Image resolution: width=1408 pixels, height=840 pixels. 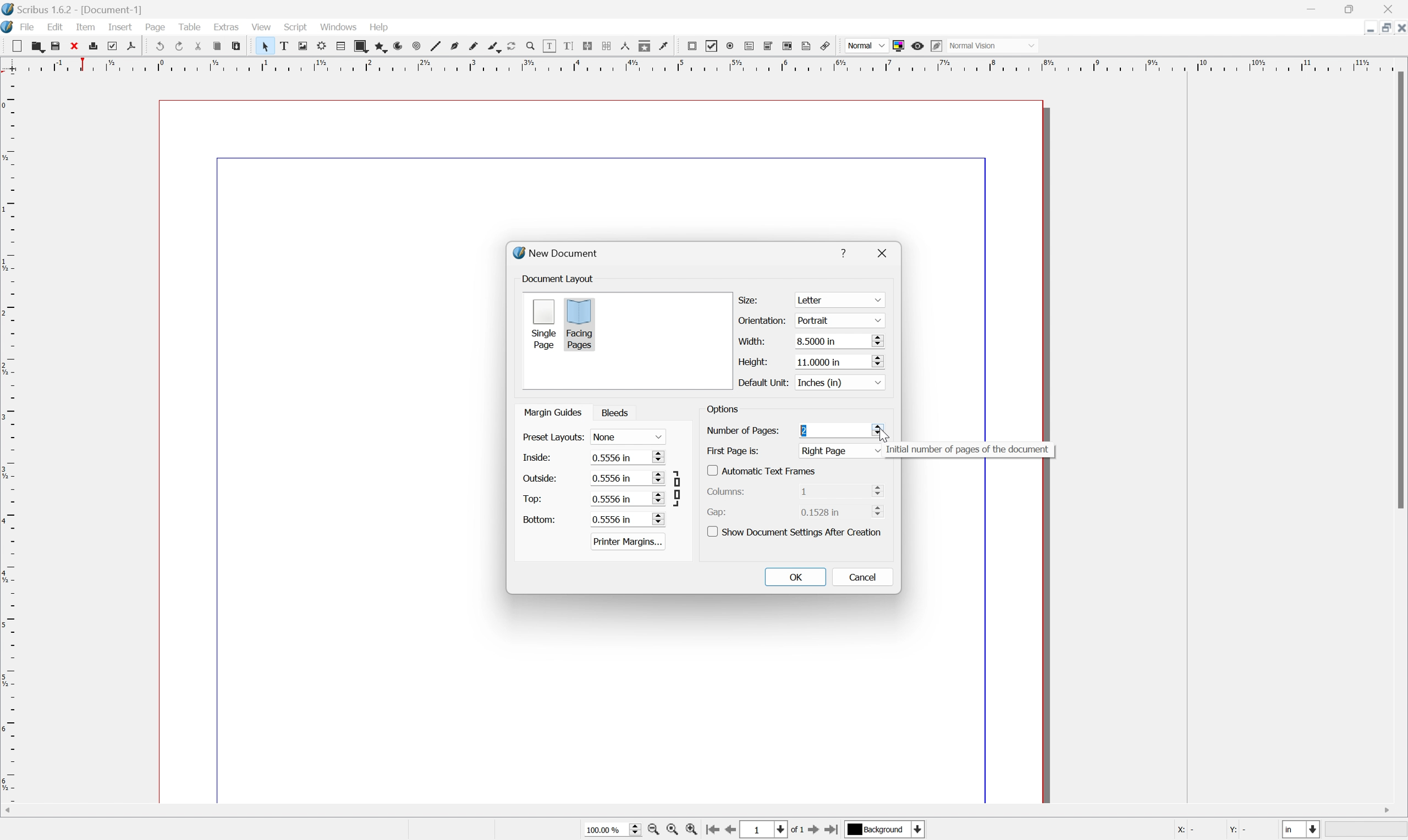 What do you see at coordinates (194, 29) in the screenshot?
I see `Table` at bounding box center [194, 29].